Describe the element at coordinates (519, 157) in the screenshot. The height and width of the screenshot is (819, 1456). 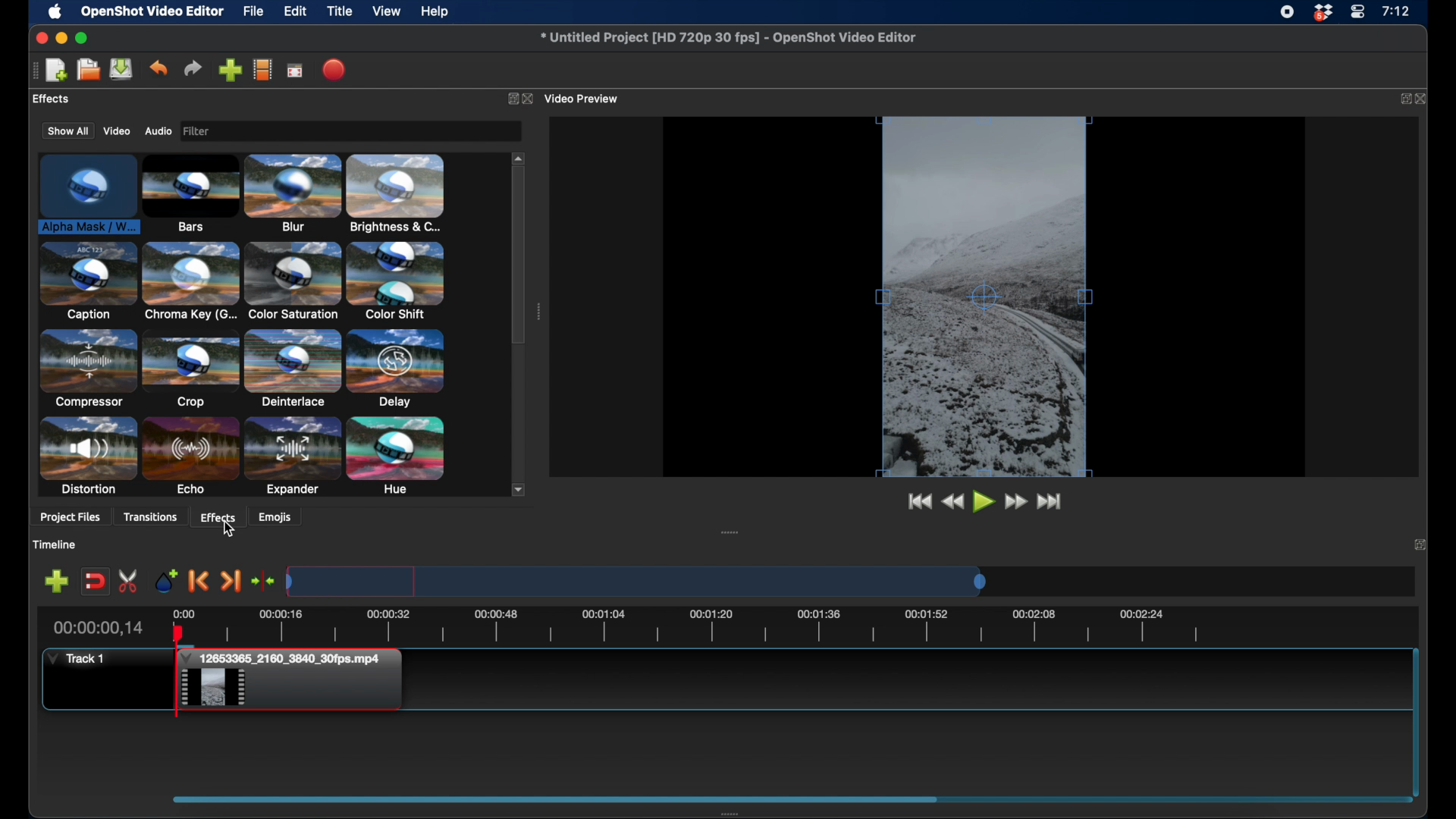
I see `scroll up arrow` at that location.